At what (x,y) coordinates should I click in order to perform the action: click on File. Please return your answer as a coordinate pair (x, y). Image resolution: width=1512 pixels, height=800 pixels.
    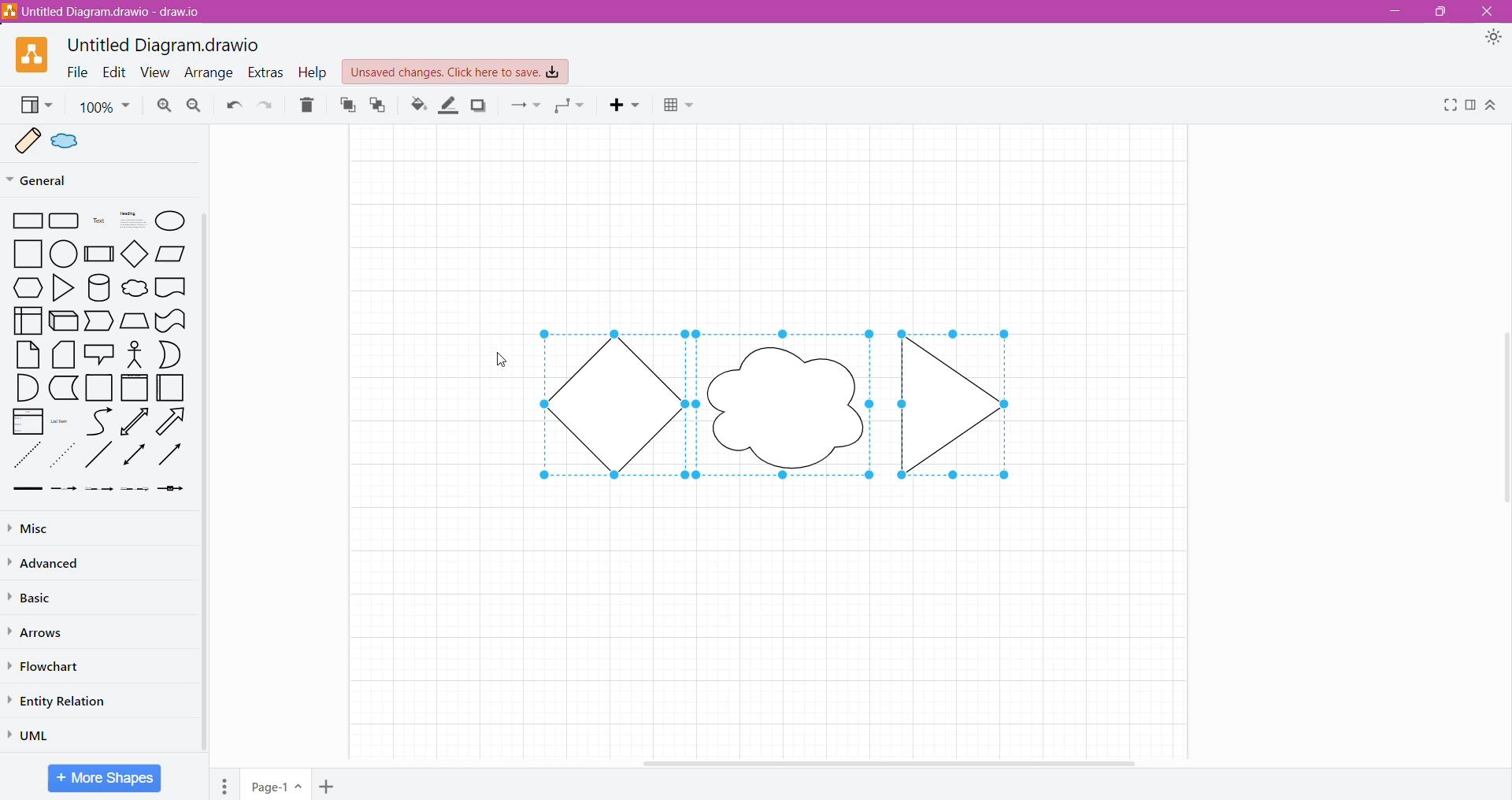
    Looking at the image, I should click on (76, 72).